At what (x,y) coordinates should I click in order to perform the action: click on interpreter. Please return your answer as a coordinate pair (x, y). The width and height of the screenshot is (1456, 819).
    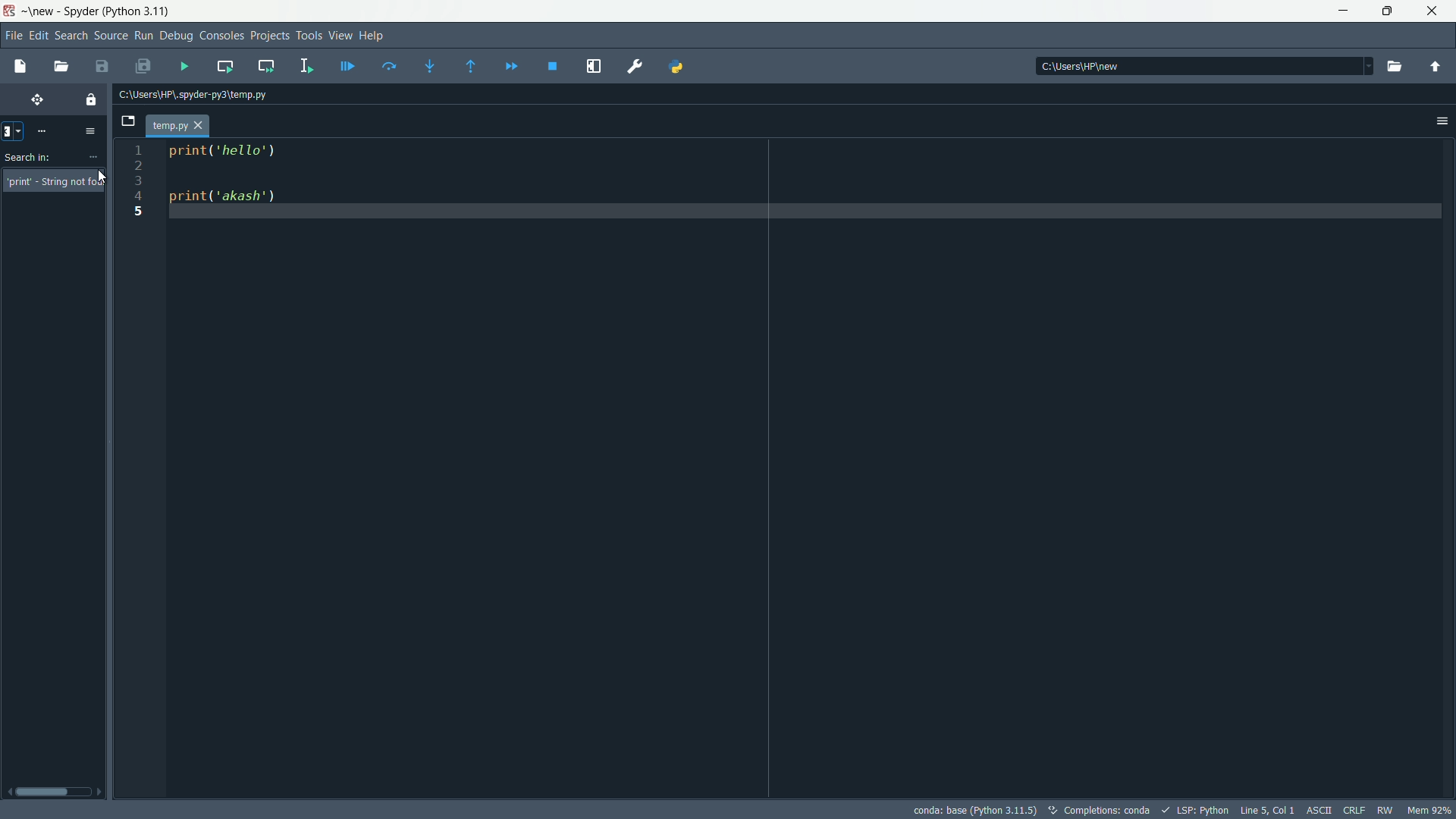
    Looking at the image, I should click on (976, 809).